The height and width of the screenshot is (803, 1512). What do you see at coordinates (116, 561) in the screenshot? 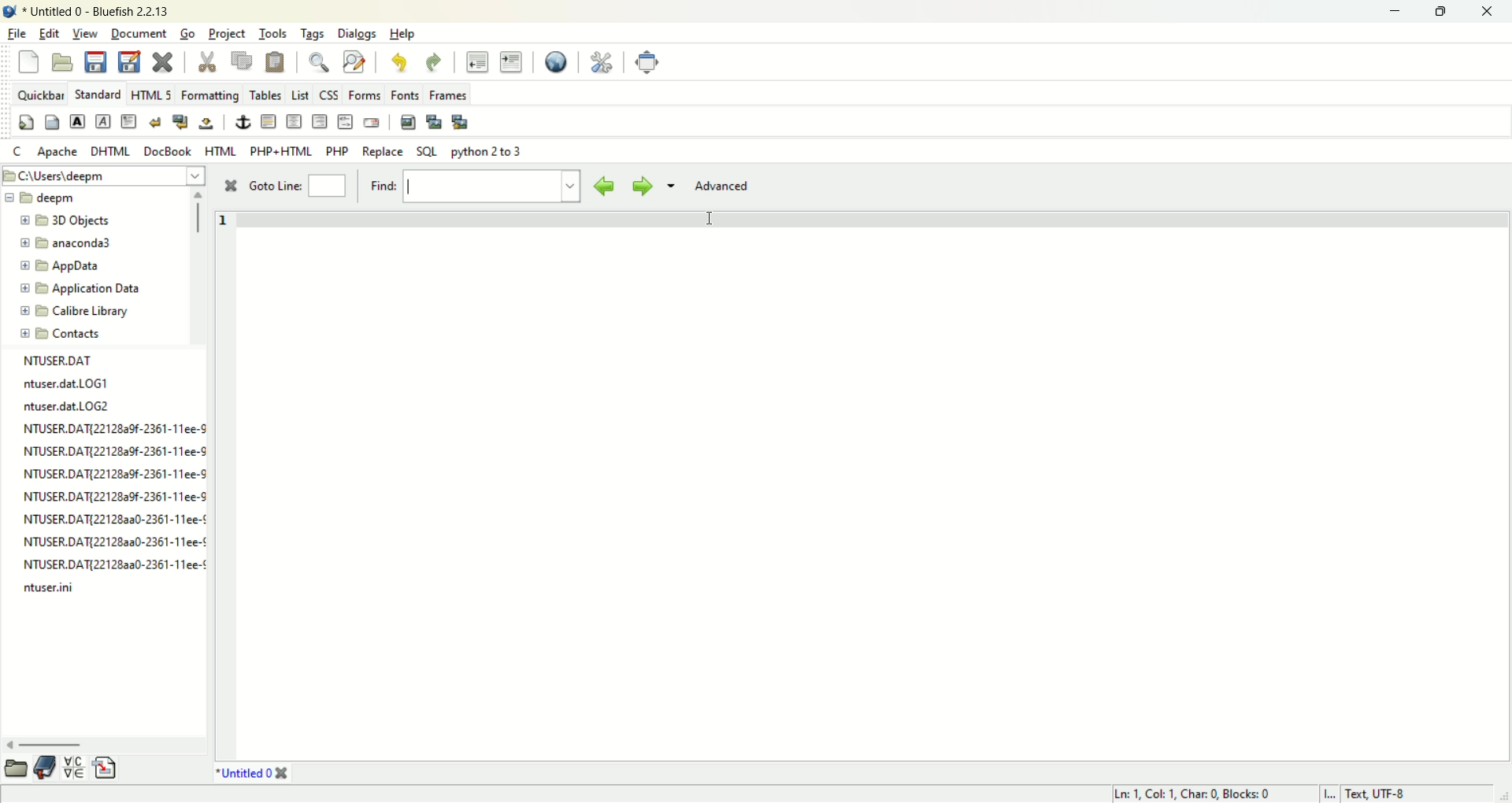
I see `NTUSER.DAT{22128aa0-2361-11ee-¢` at bounding box center [116, 561].